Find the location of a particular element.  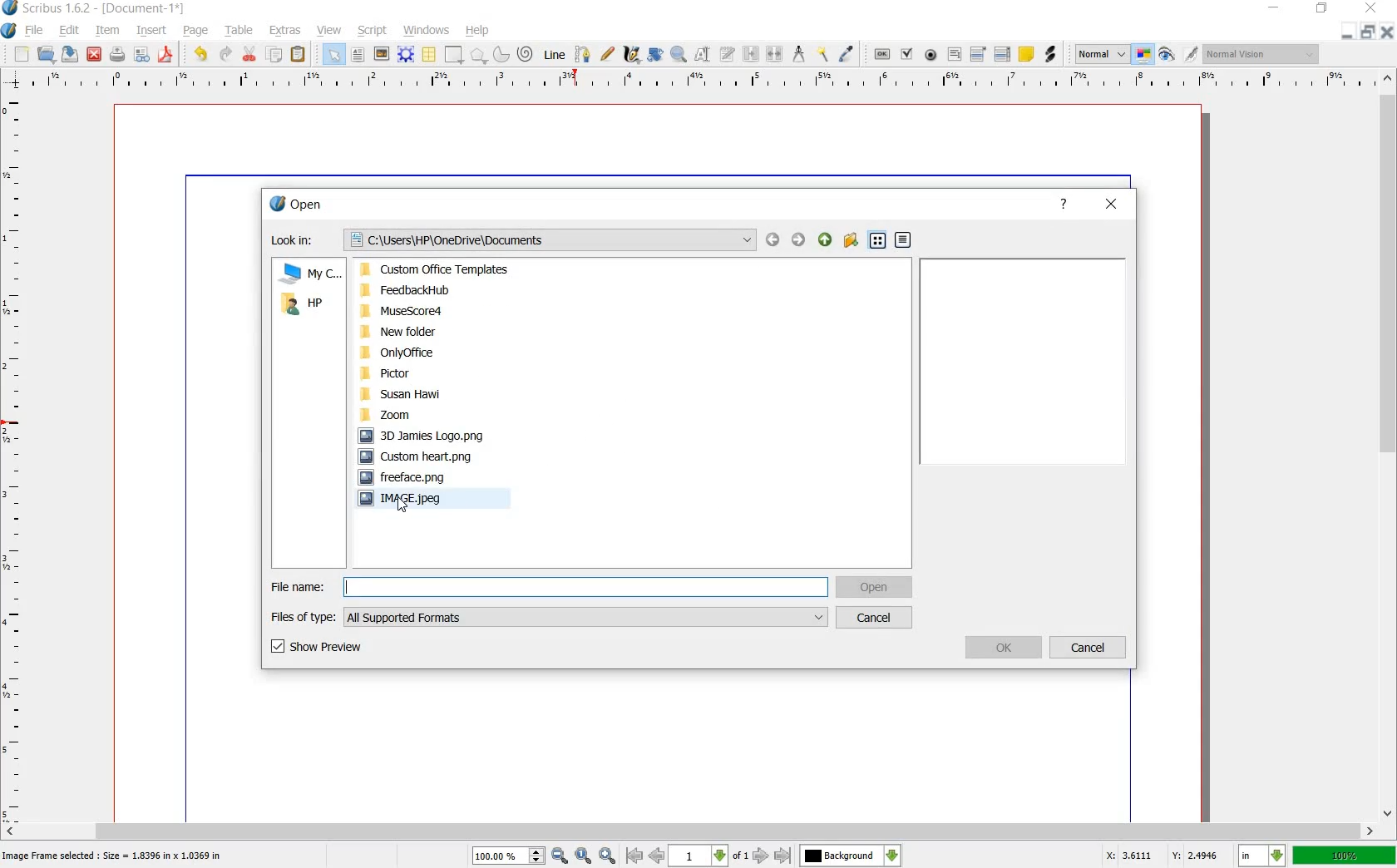

copy item properties is located at coordinates (822, 53).